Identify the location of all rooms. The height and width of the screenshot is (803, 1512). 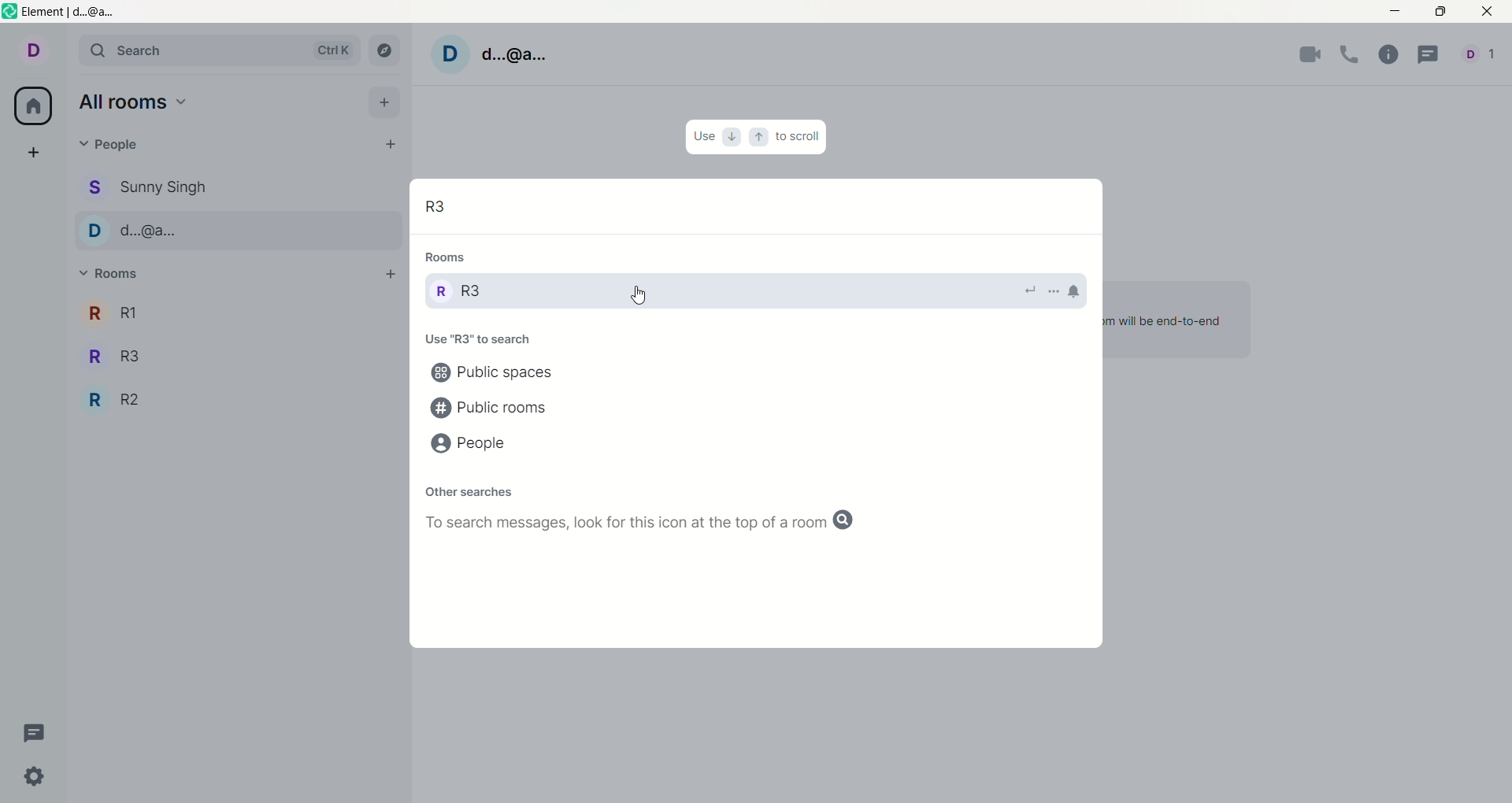
(34, 105).